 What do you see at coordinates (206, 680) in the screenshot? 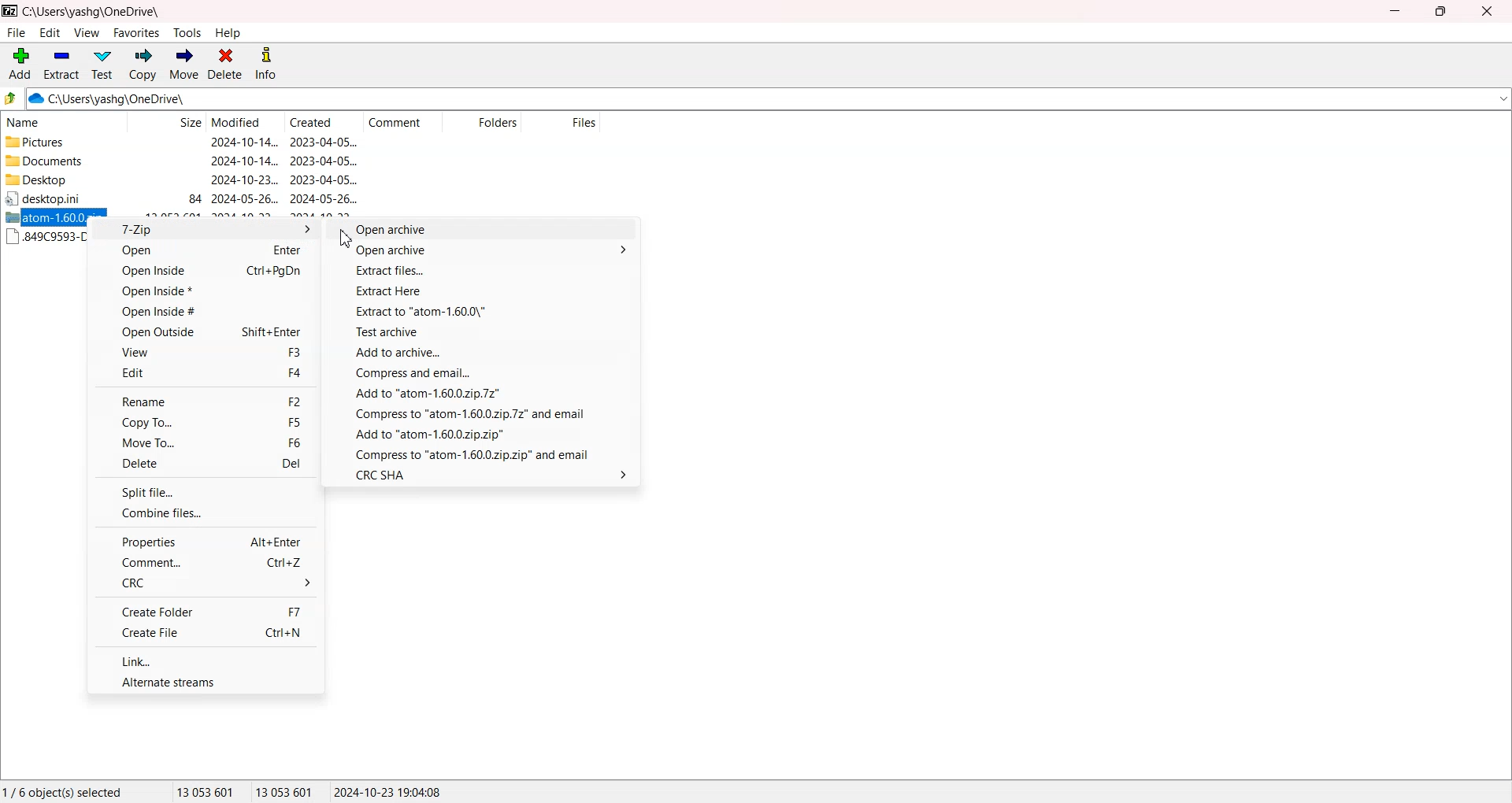
I see `Alternate Streams` at bounding box center [206, 680].